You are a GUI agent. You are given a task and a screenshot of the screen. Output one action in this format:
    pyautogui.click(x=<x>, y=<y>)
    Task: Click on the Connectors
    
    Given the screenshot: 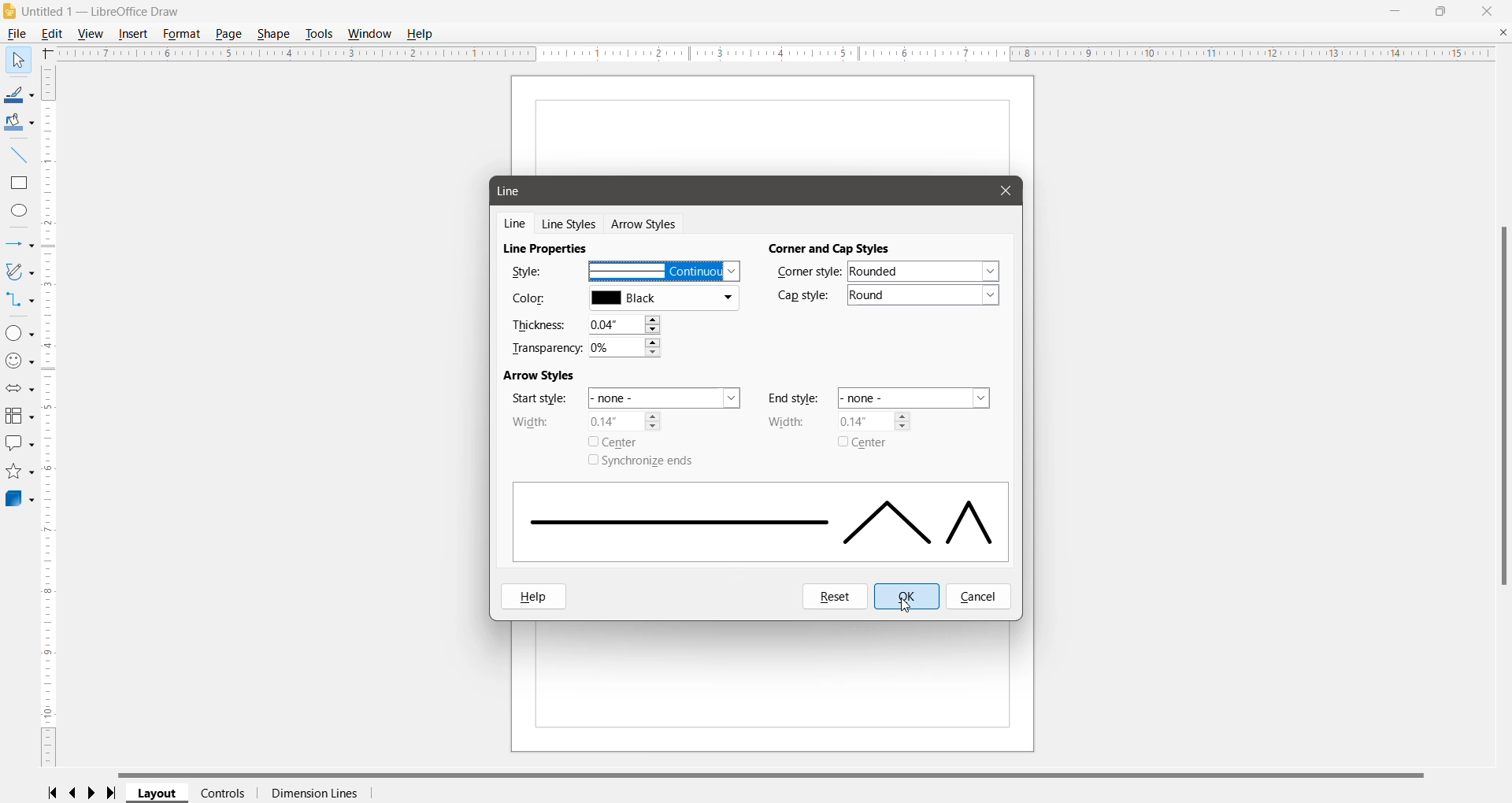 What is the action you would take?
    pyautogui.click(x=20, y=301)
    